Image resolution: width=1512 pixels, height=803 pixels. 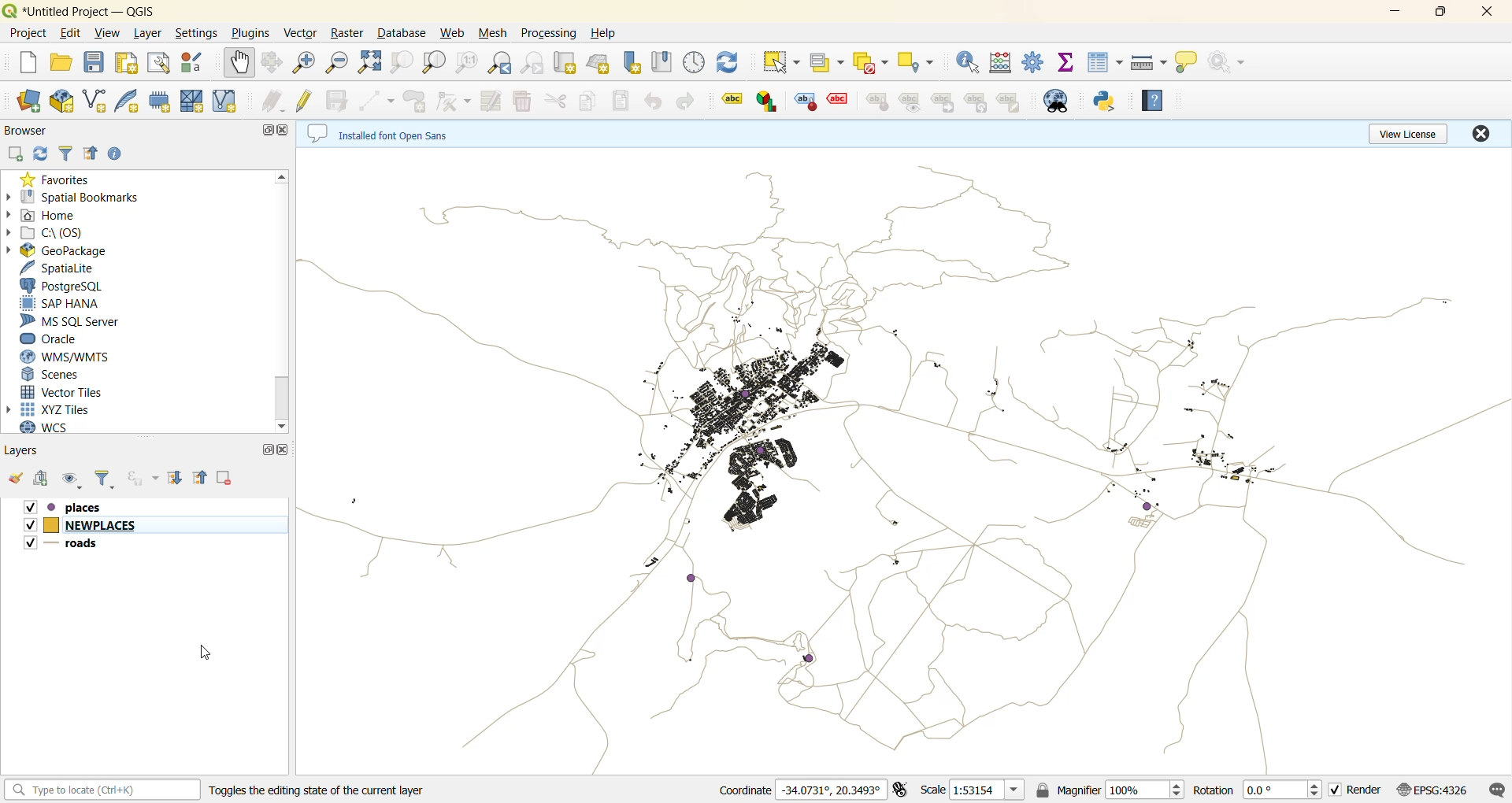 I want to click on linked label, so click(x=946, y=103).